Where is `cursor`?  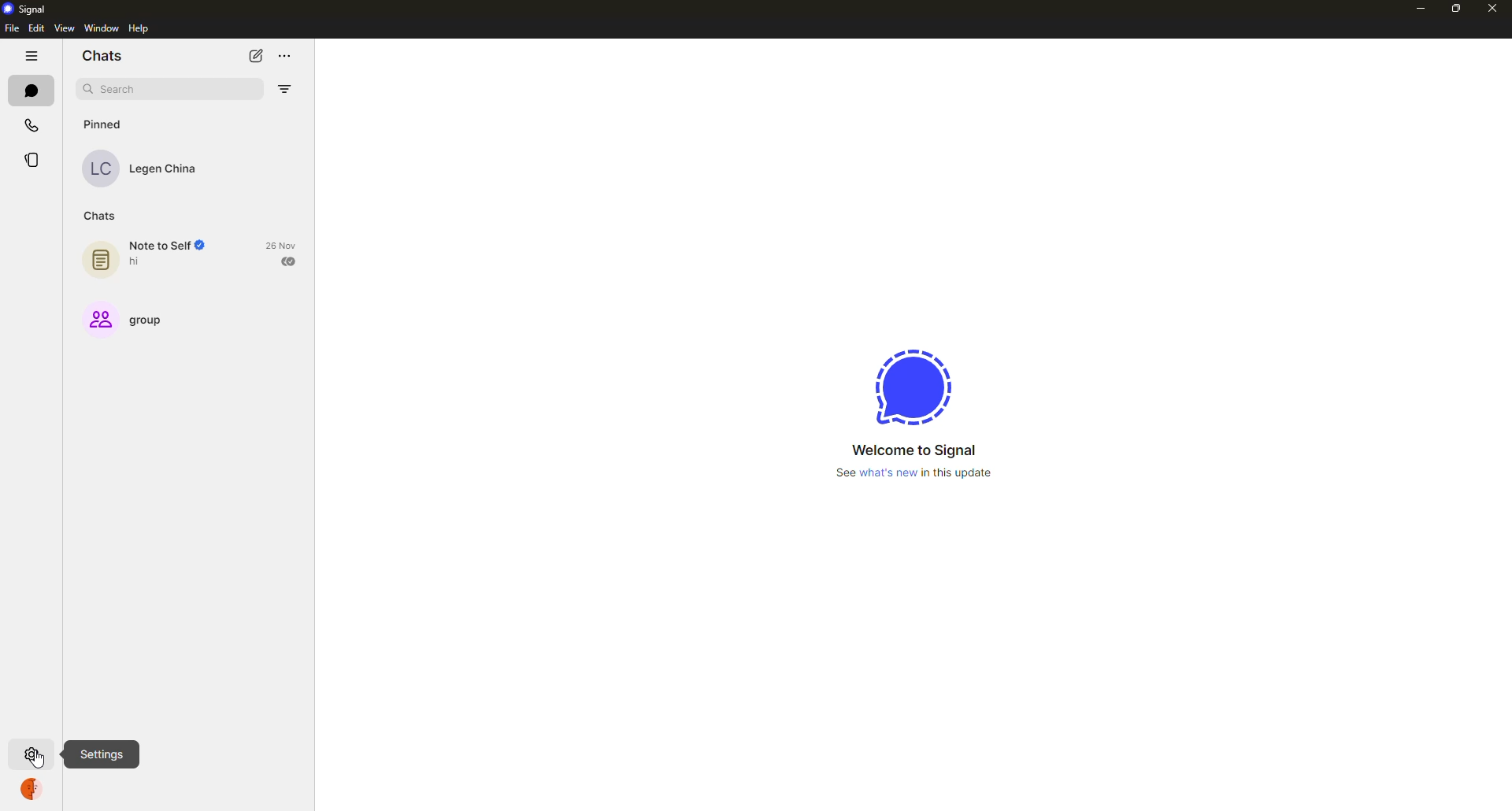 cursor is located at coordinates (38, 761).